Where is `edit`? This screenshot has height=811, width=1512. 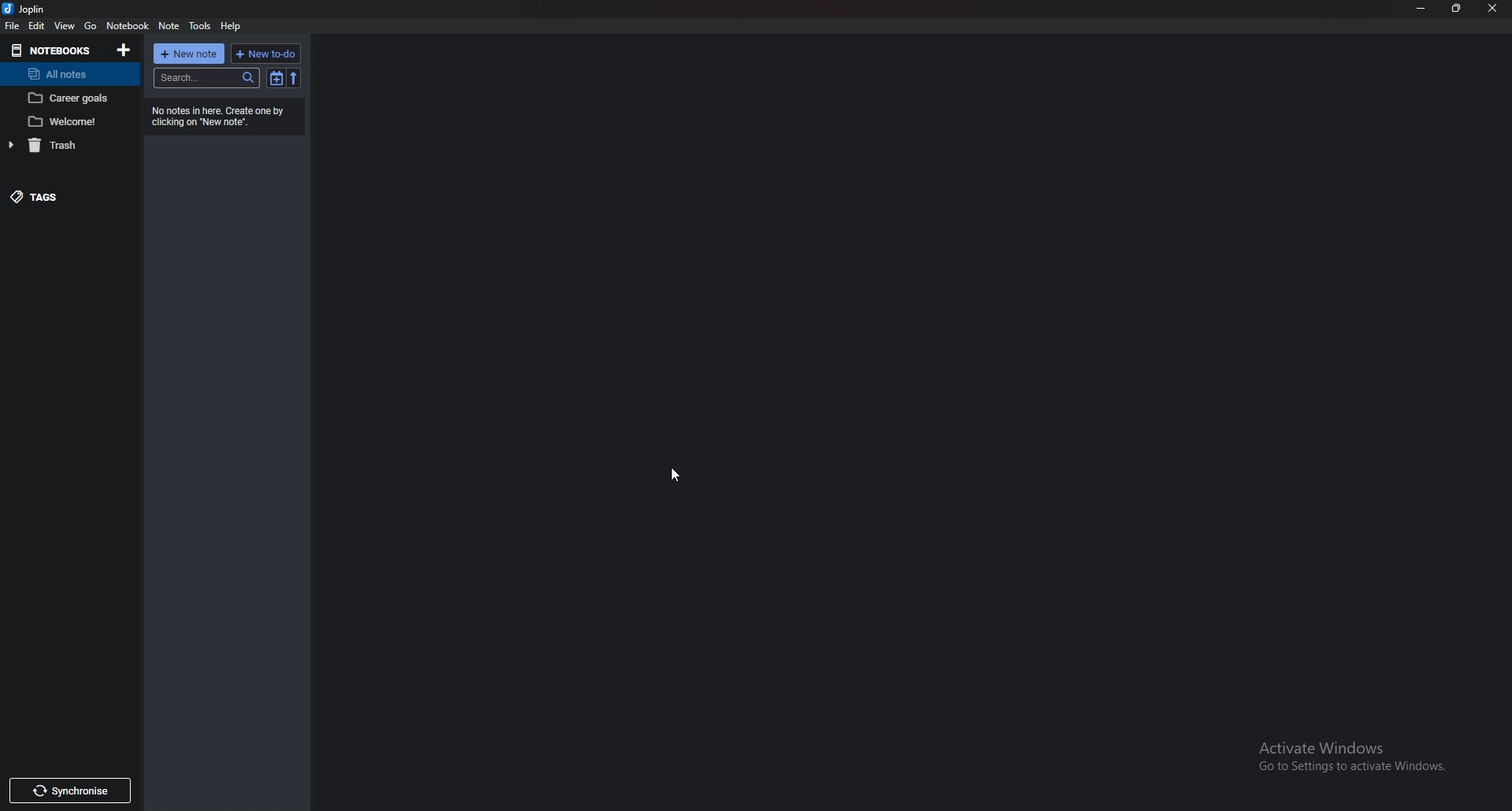 edit is located at coordinates (38, 26).